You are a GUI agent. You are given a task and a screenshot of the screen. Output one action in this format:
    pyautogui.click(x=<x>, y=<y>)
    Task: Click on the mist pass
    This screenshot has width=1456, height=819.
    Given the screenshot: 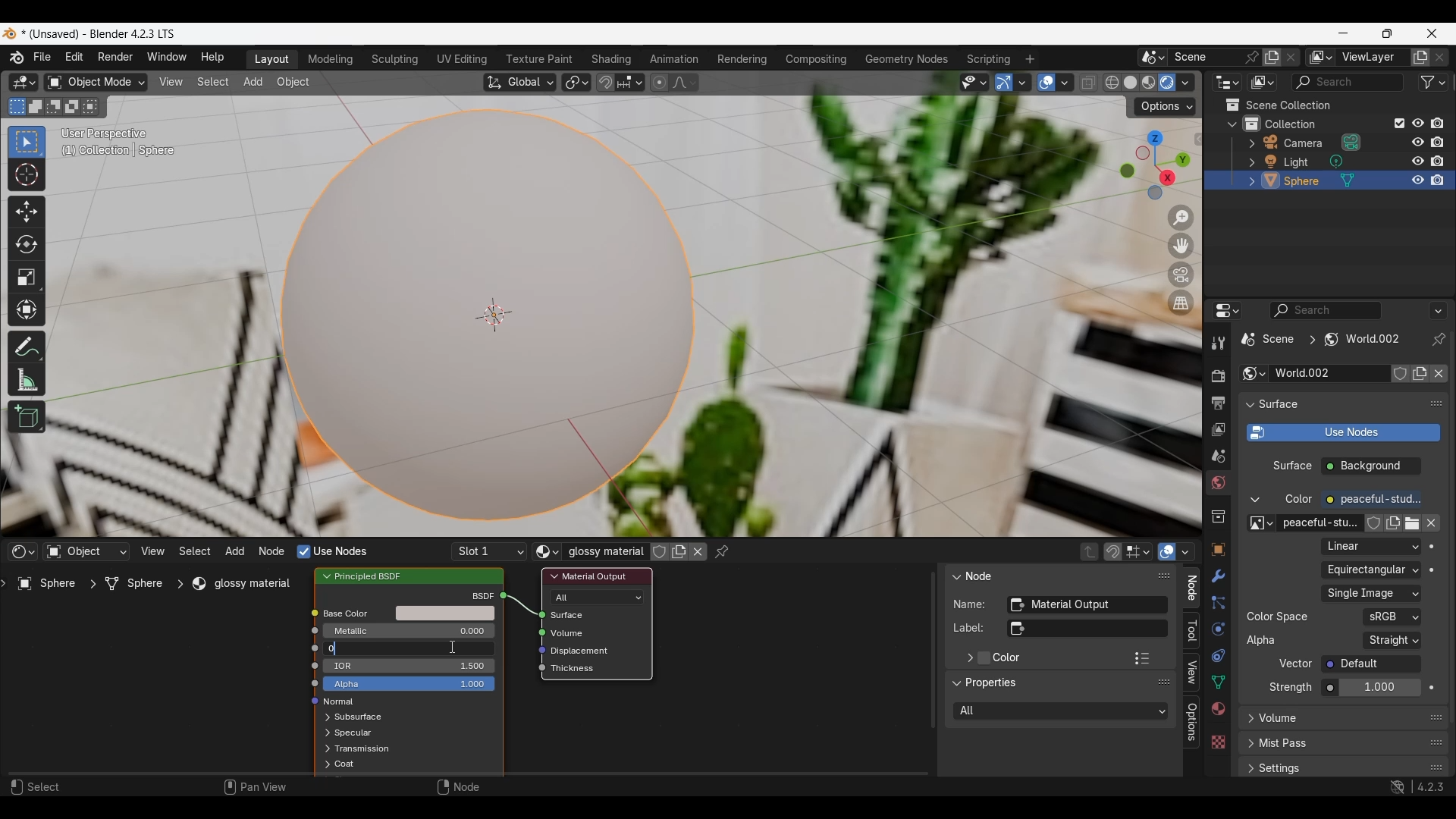 What is the action you would take?
    pyautogui.click(x=1285, y=744)
    